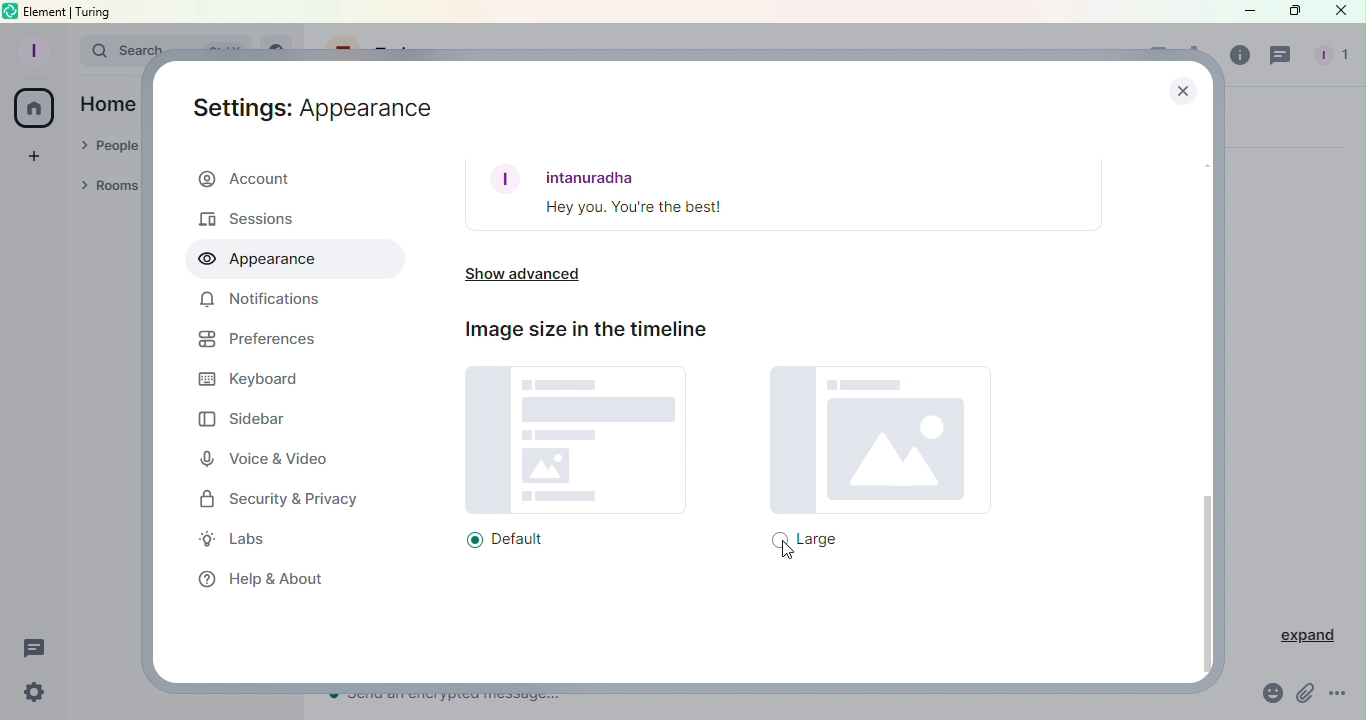  What do you see at coordinates (1235, 55) in the screenshot?
I see `Room info` at bounding box center [1235, 55].